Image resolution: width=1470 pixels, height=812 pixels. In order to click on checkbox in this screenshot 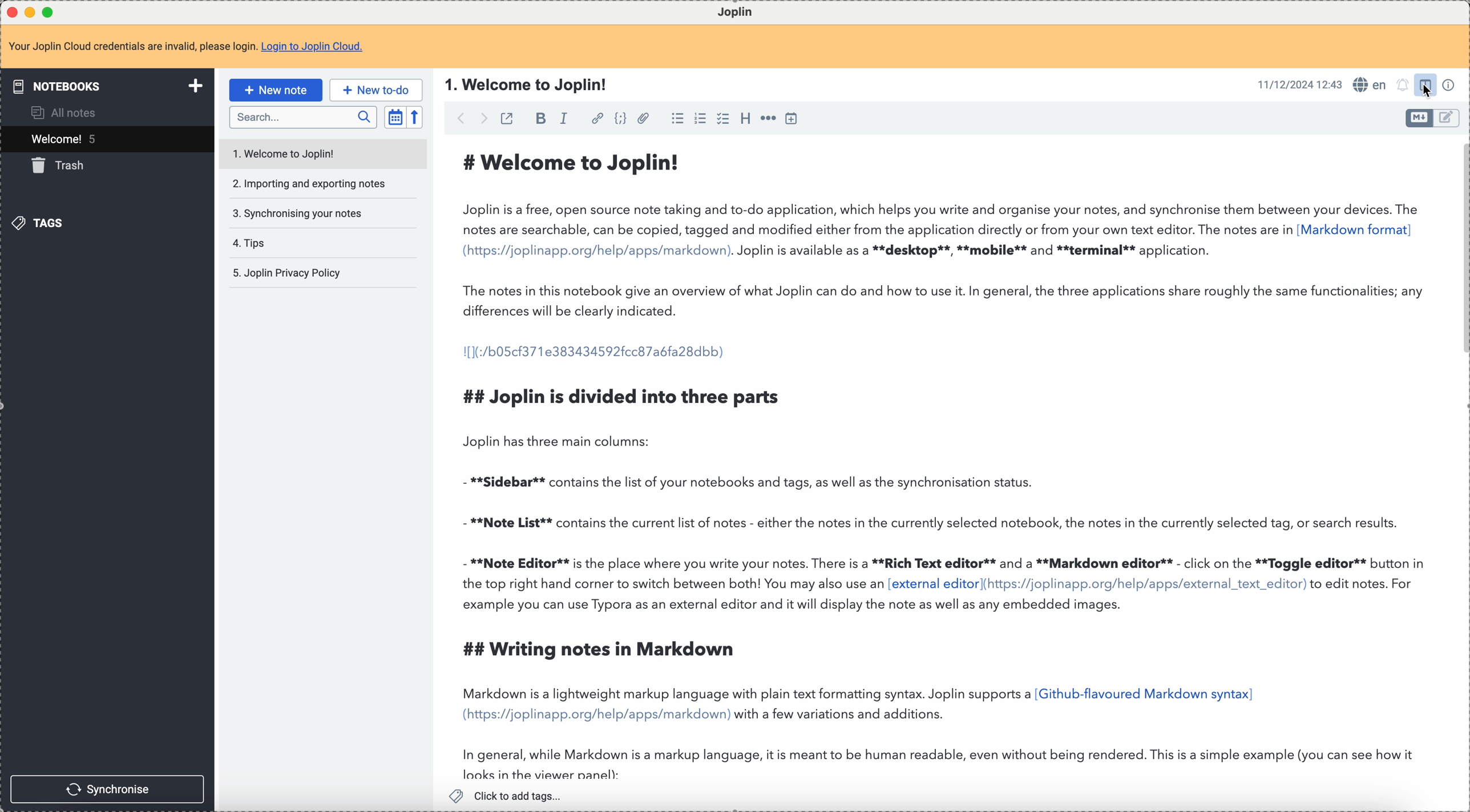, I will do `click(725, 118)`.